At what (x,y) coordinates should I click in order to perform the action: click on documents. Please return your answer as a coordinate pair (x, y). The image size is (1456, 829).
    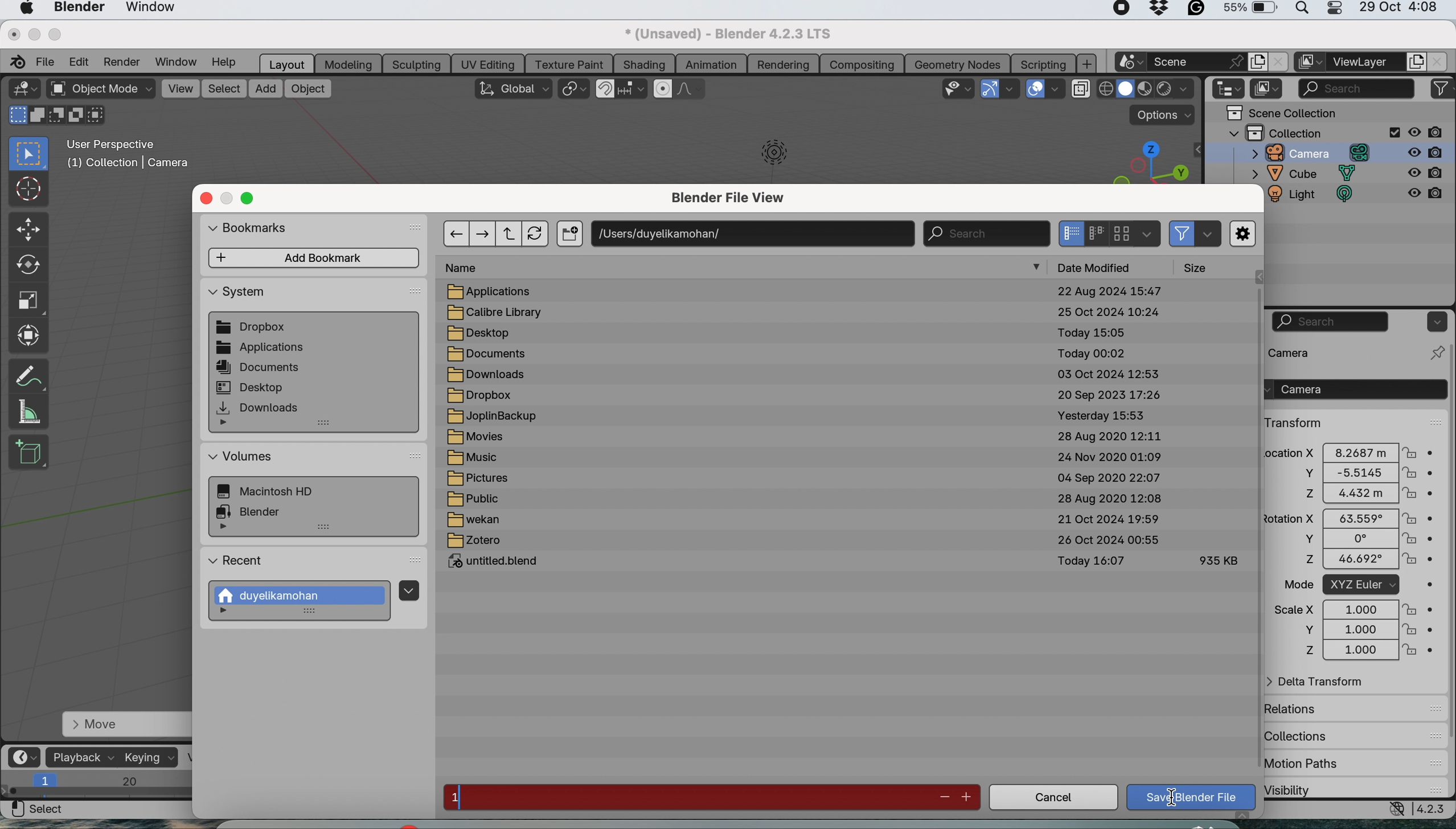
    Looking at the image, I should click on (260, 368).